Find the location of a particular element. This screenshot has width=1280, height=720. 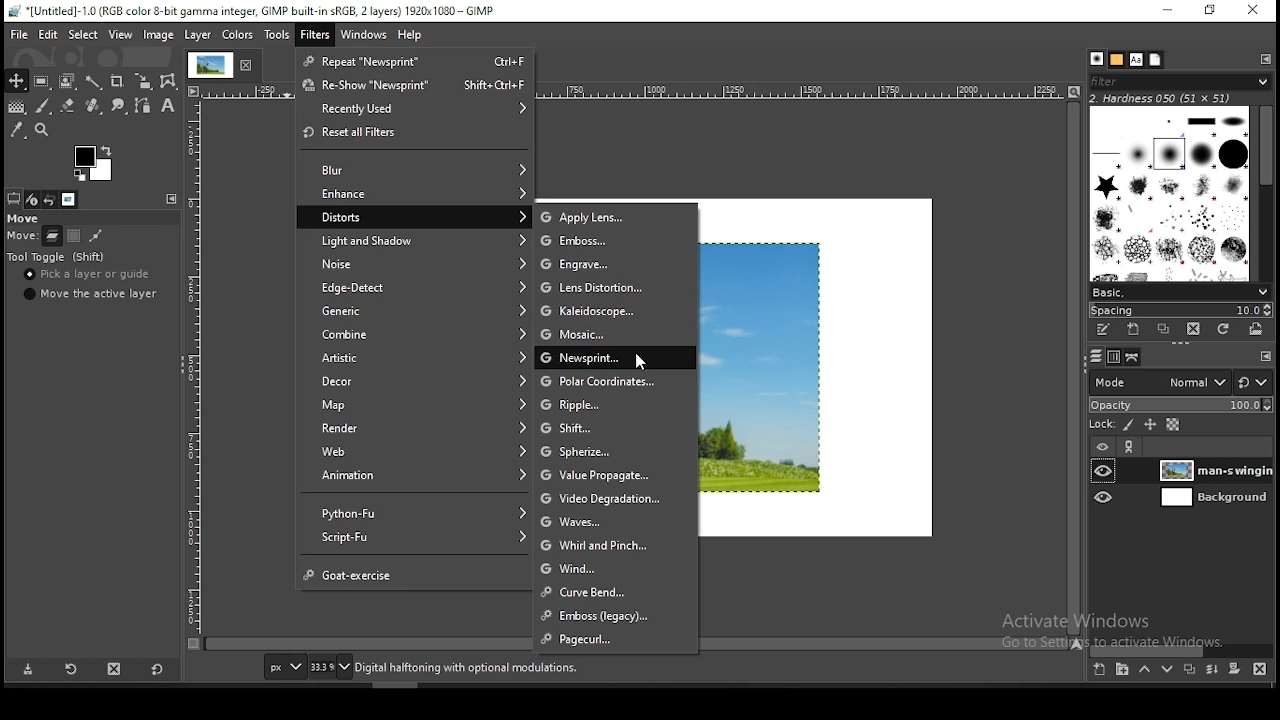

layer on/off is located at coordinates (1103, 445).